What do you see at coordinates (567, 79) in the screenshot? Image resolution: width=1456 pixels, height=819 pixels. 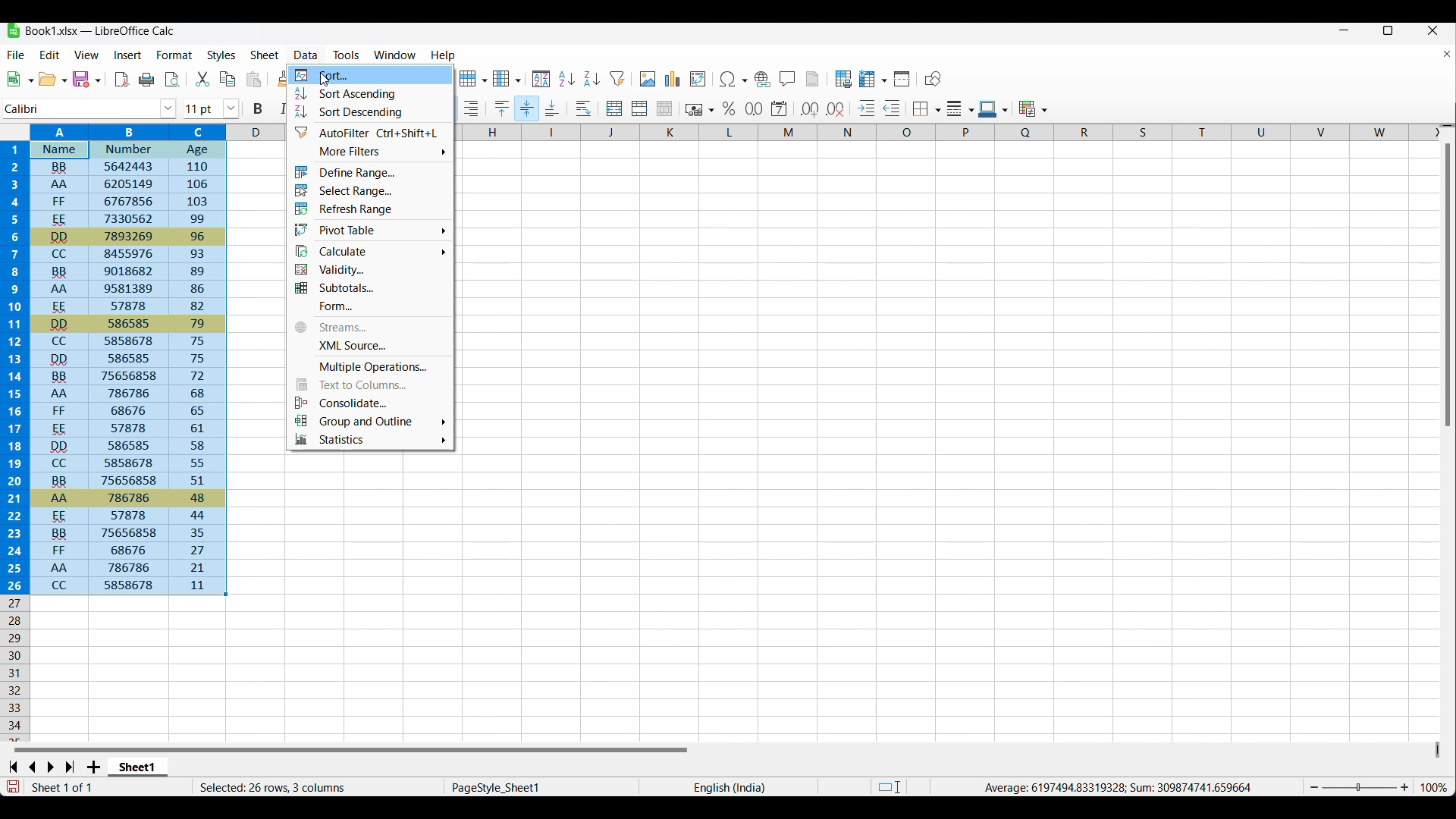 I see `Sort ascending` at bounding box center [567, 79].